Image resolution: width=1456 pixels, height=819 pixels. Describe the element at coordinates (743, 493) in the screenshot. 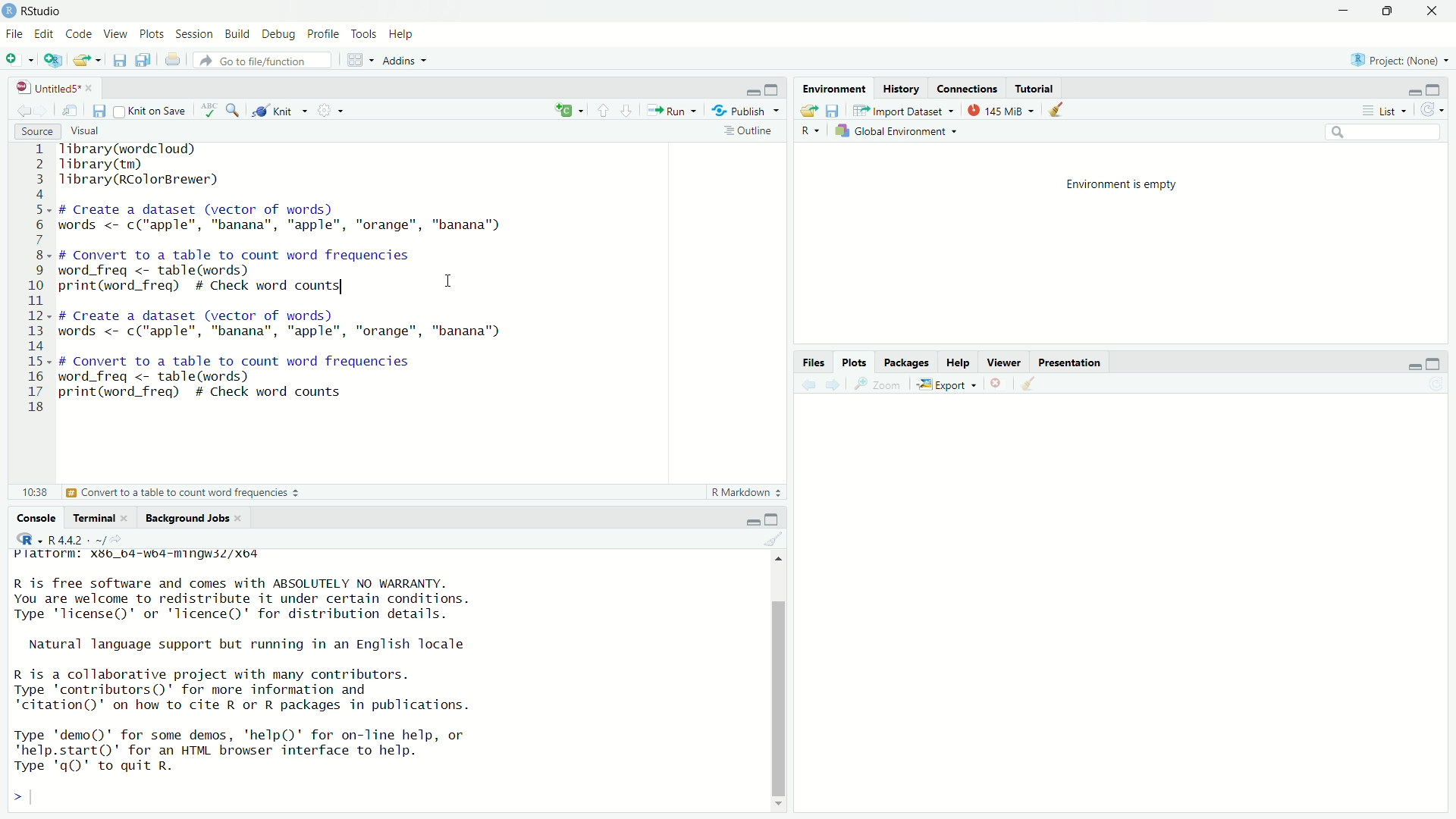

I see `Markdown` at that location.